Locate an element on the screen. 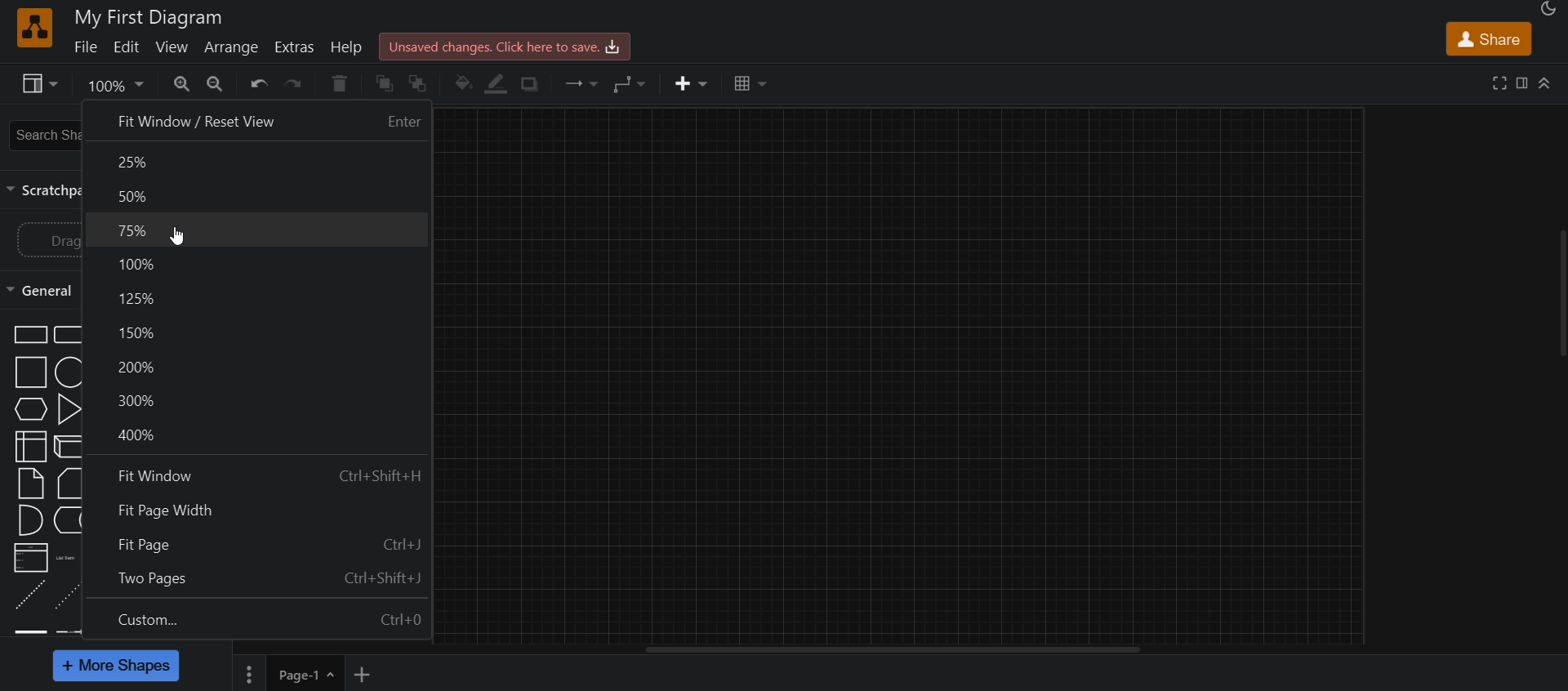  300% is located at coordinates (261, 399).